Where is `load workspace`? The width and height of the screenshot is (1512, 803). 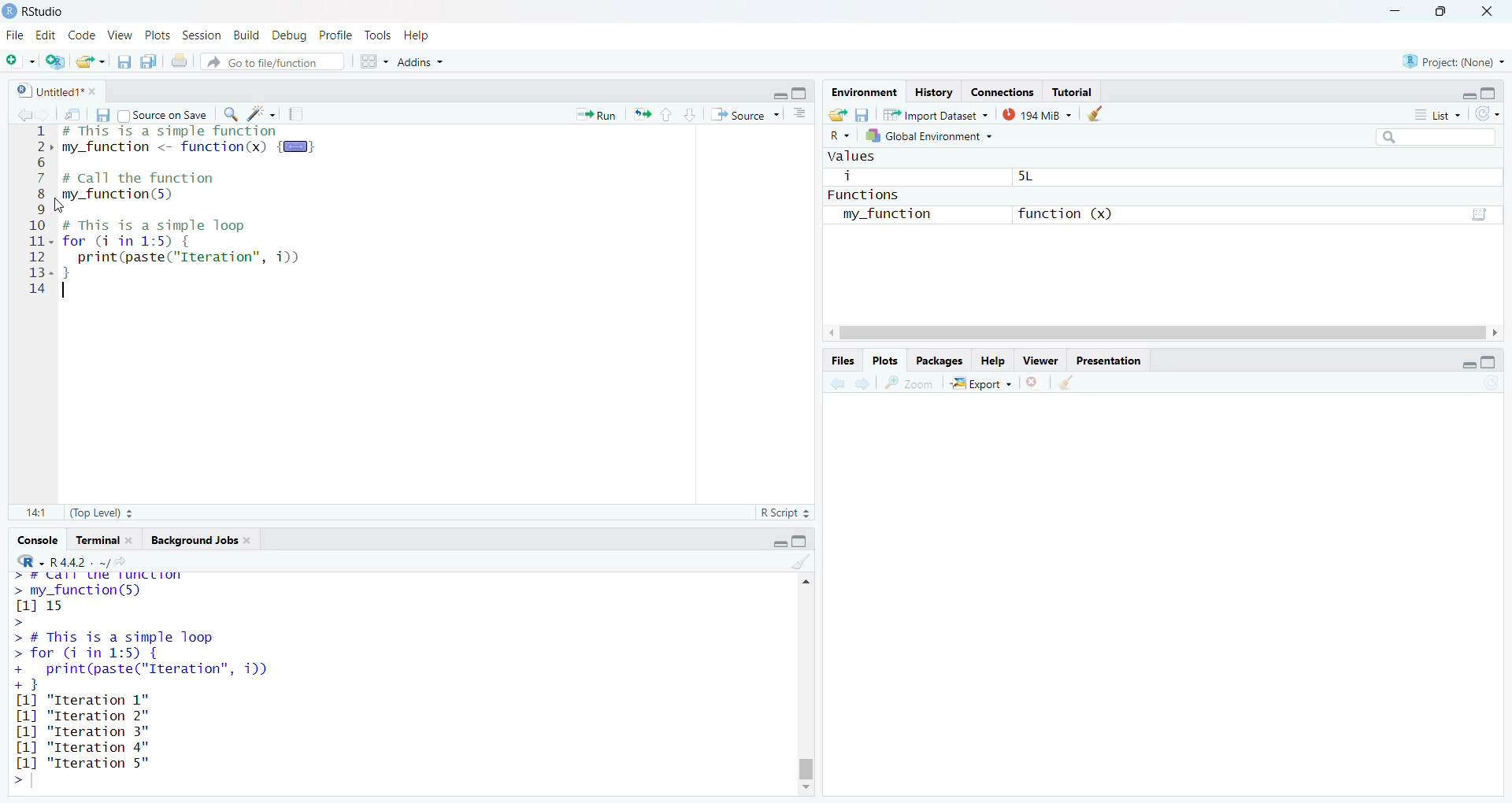
load workspace is located at coordinates (838, 115).